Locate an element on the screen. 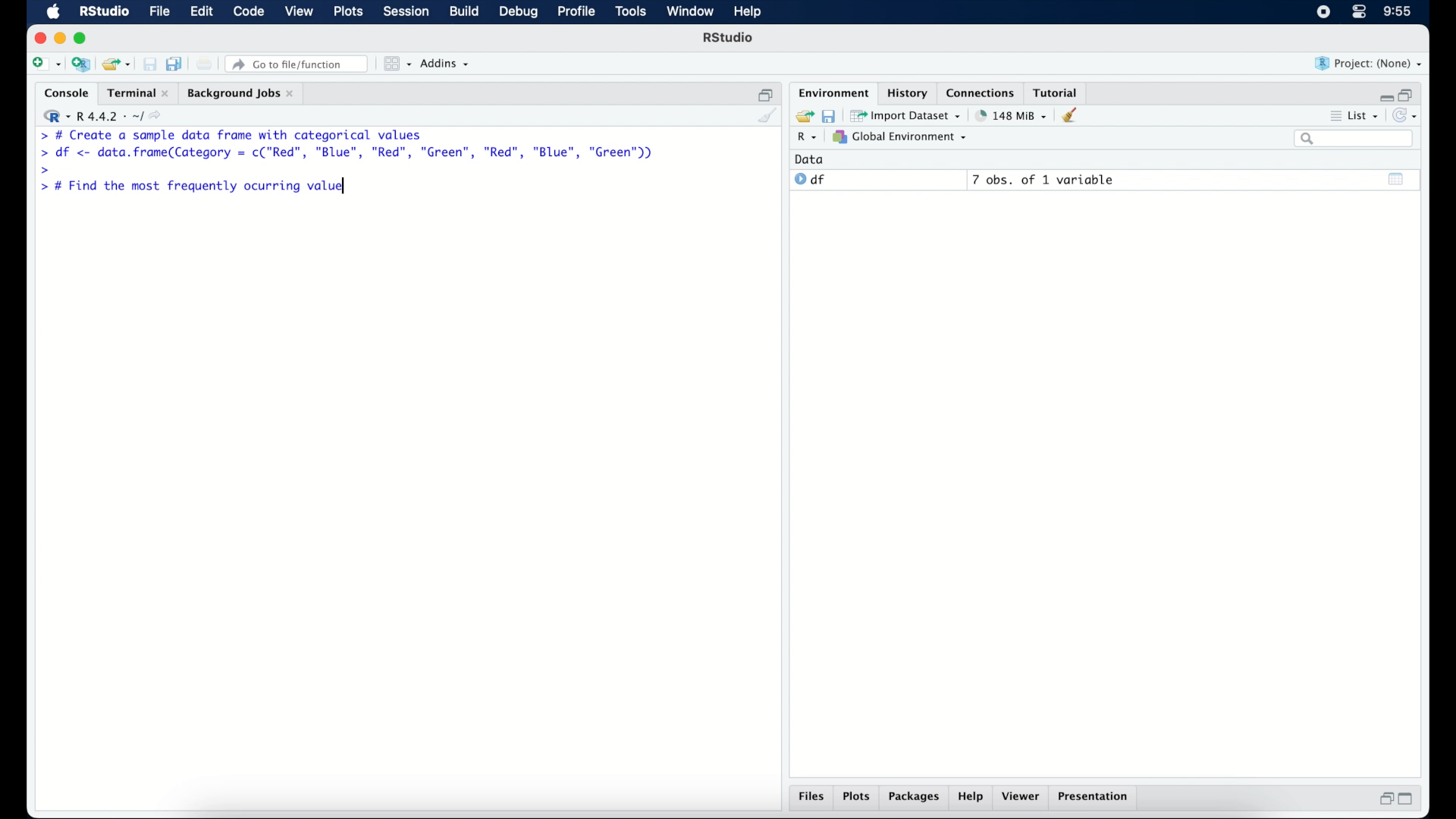 The image size is (1456, 819). addins is located at coordinates (447, 64).